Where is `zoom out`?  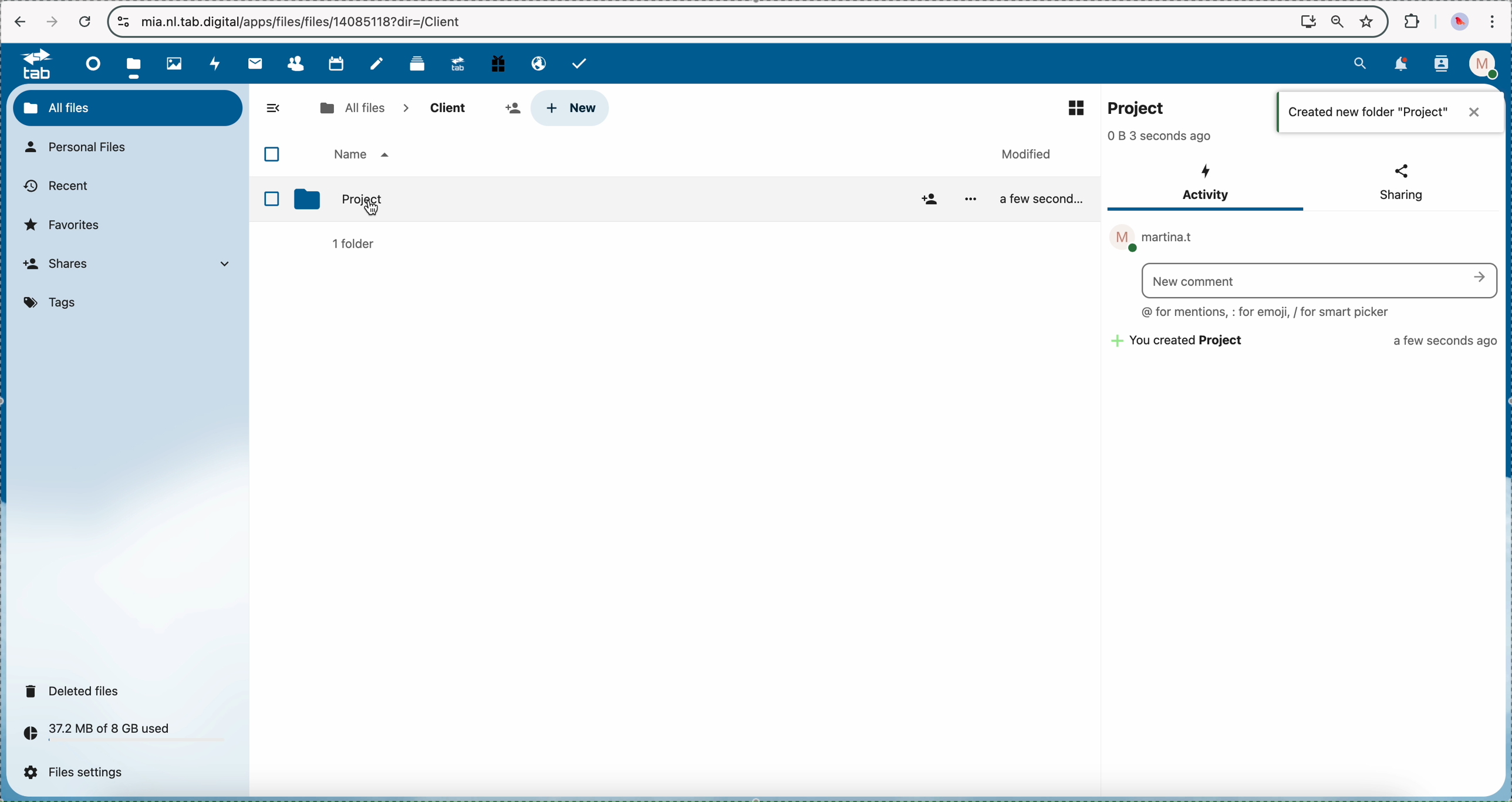
zoom out is located at coordinates (1338, 22).